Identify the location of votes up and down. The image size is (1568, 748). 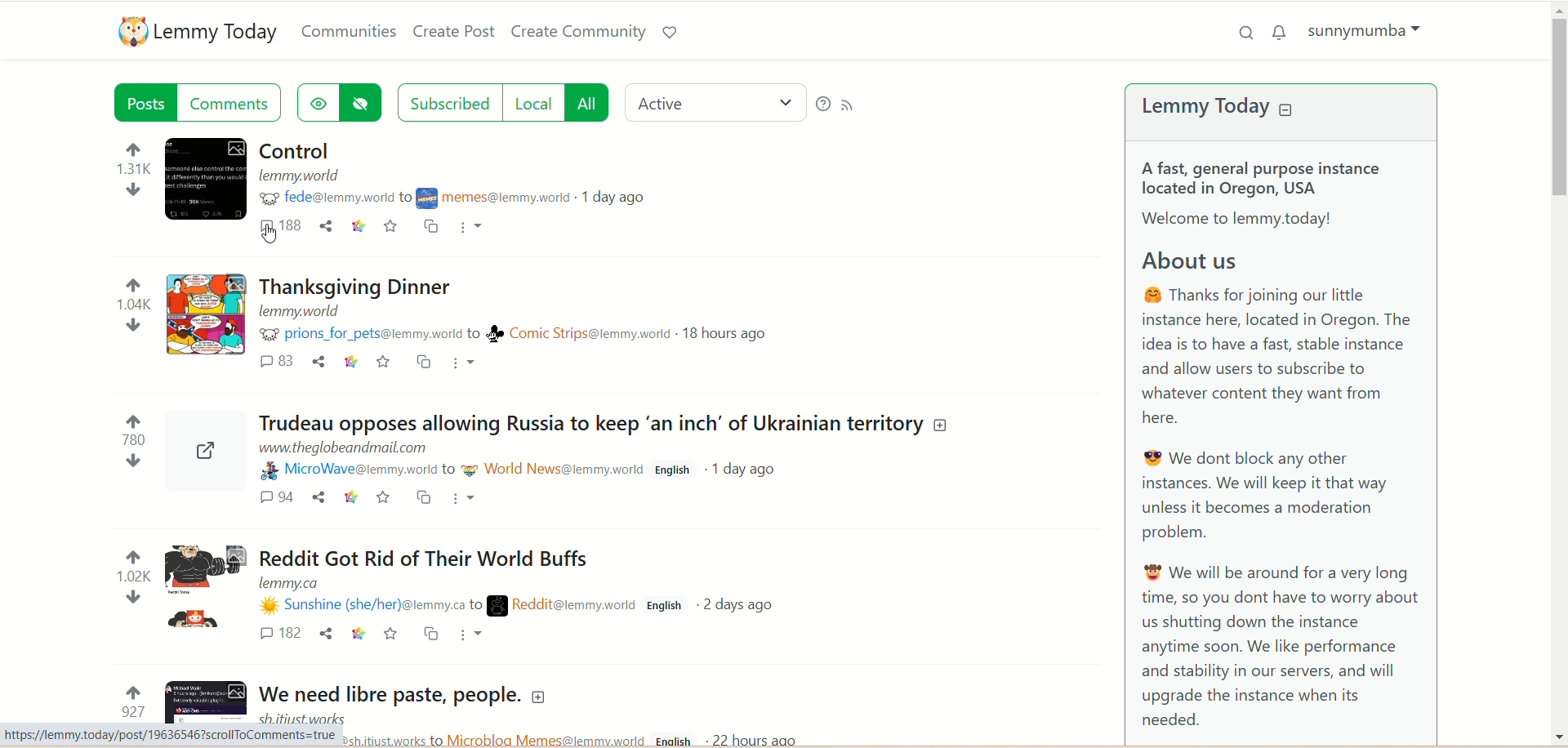
(118, 172).